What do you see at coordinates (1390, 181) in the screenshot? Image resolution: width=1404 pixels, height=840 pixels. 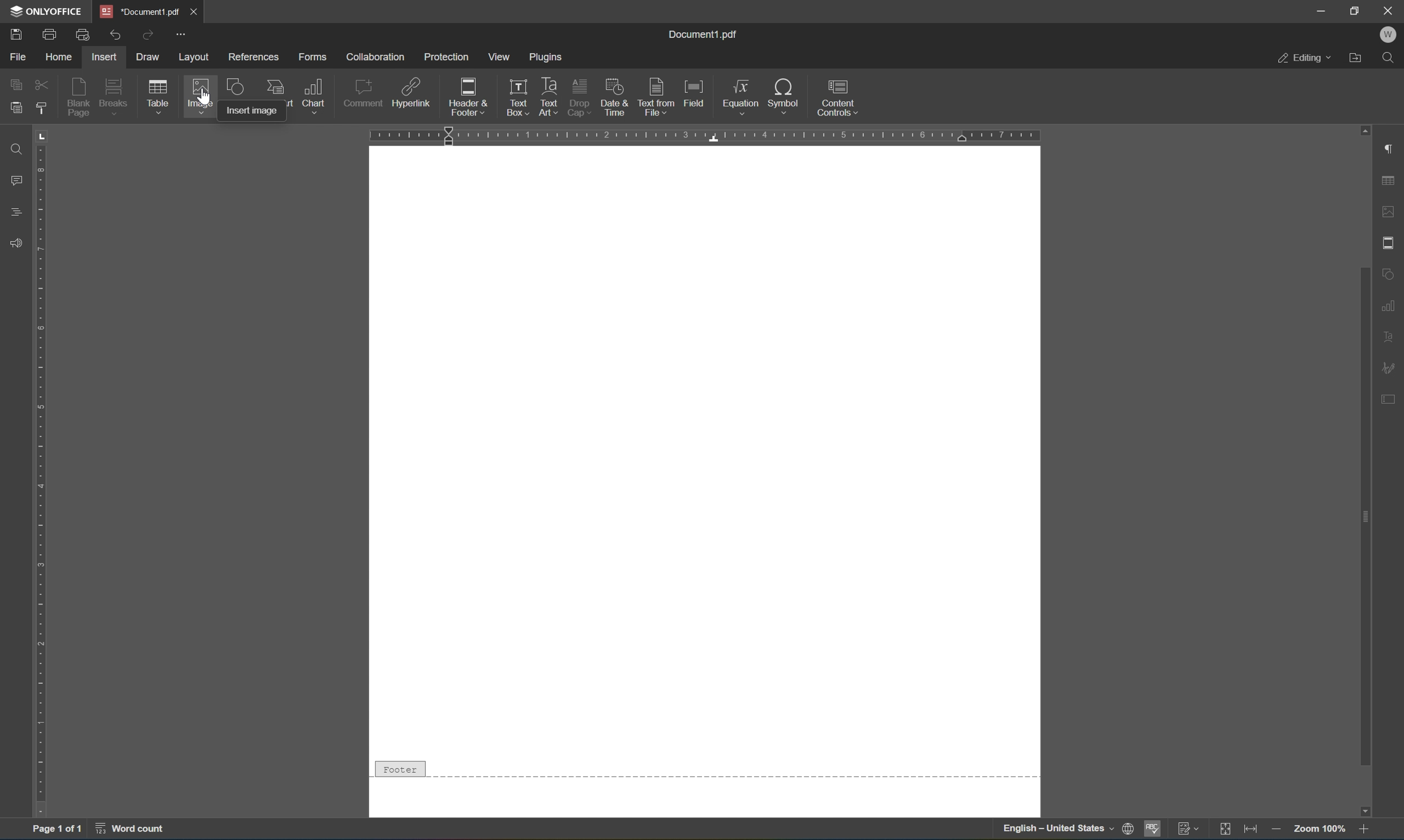 I see `tabular settings` at bounding box center [1390, 181].